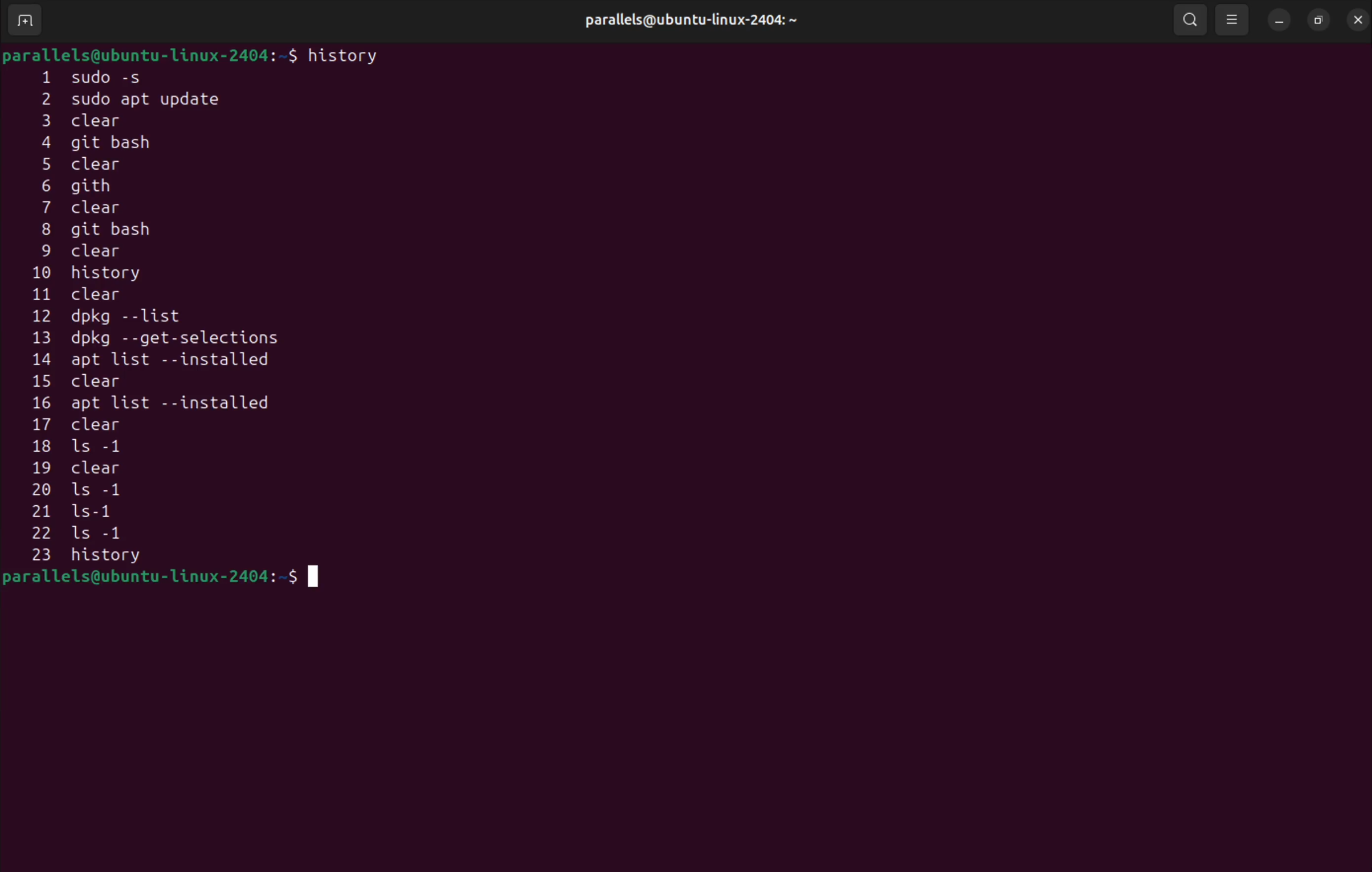 Image resolution: width=1372 pixels, height=872 pixels. Describe the element at coordinates (699, 18) in the screenshot. I see `parallels username` at that location.